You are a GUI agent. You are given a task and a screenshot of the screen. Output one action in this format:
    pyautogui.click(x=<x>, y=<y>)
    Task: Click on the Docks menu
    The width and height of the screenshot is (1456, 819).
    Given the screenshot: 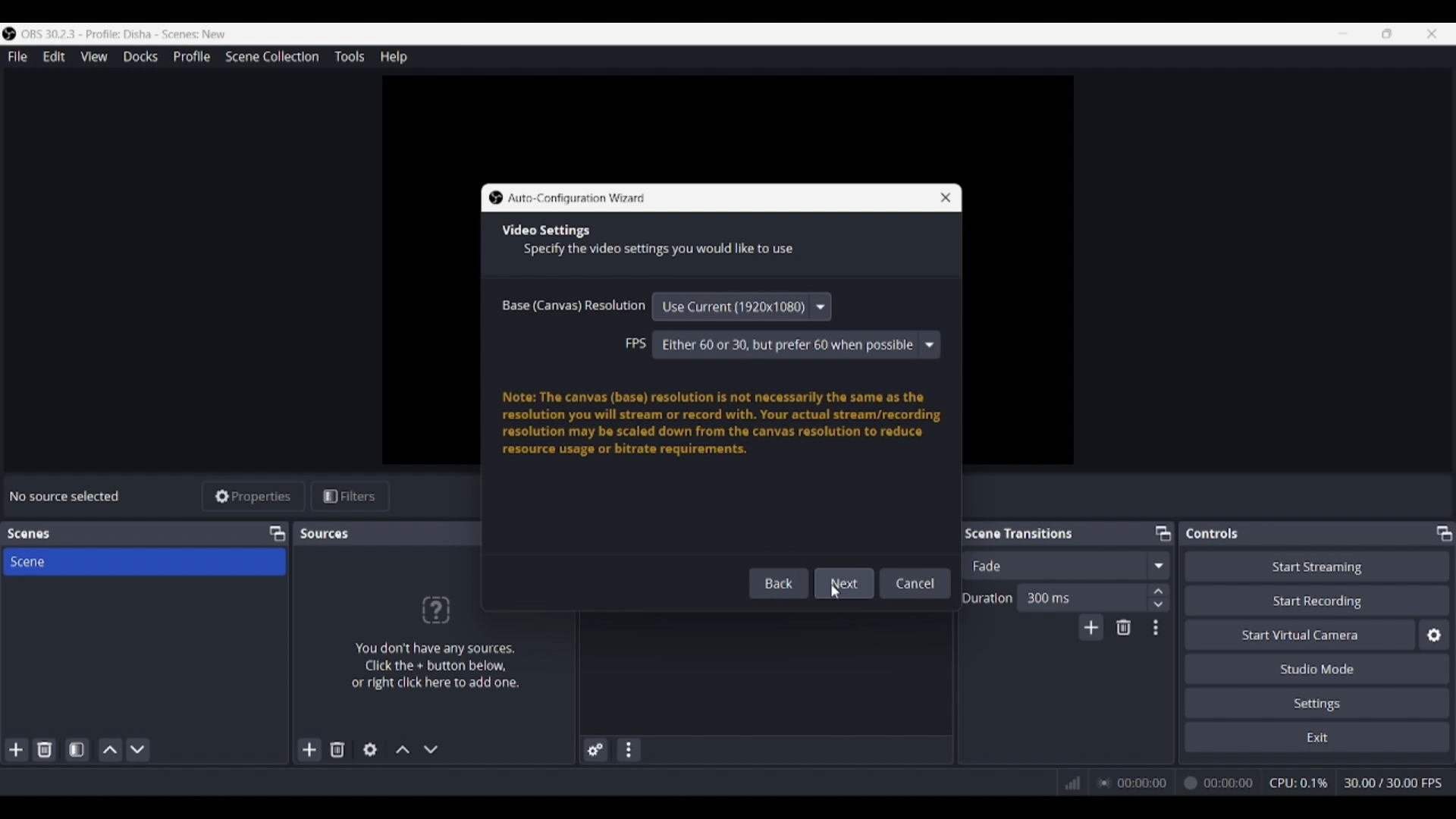 What is the action you would take?
    pyautogui.click(x=140, y=57)
    